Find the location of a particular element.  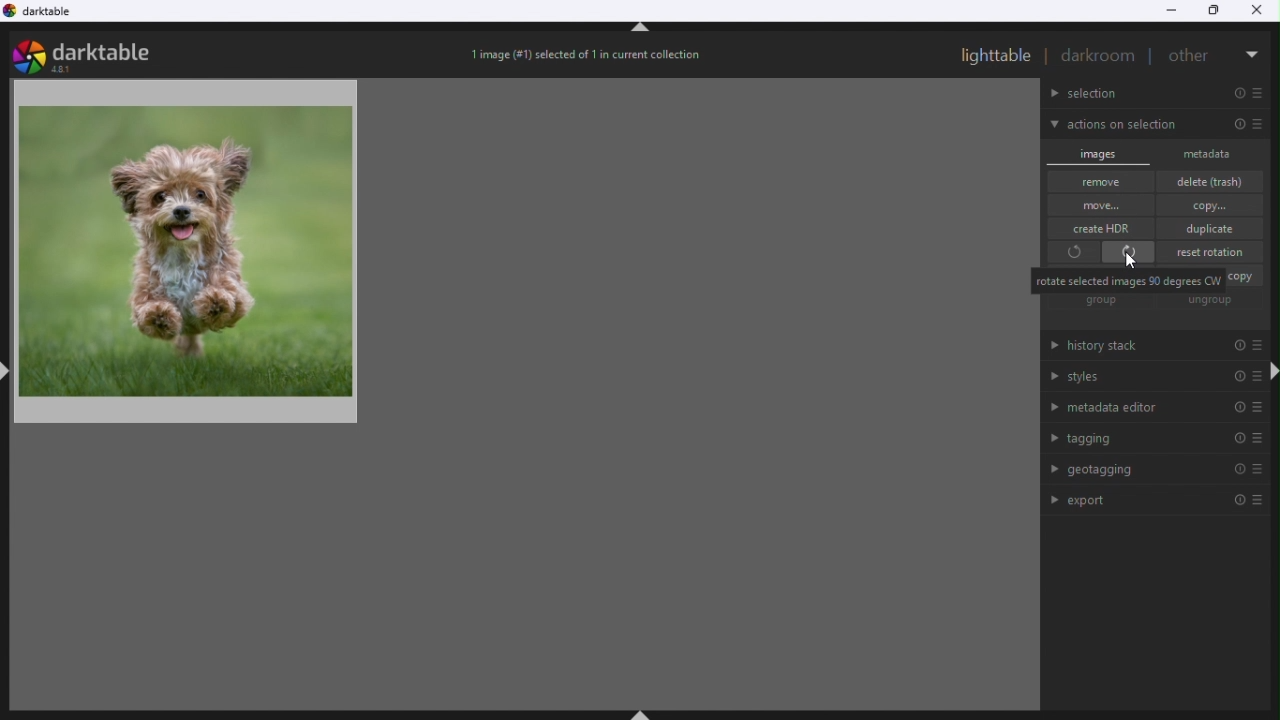

Metadata editor is located at coordinates (1152, 407).